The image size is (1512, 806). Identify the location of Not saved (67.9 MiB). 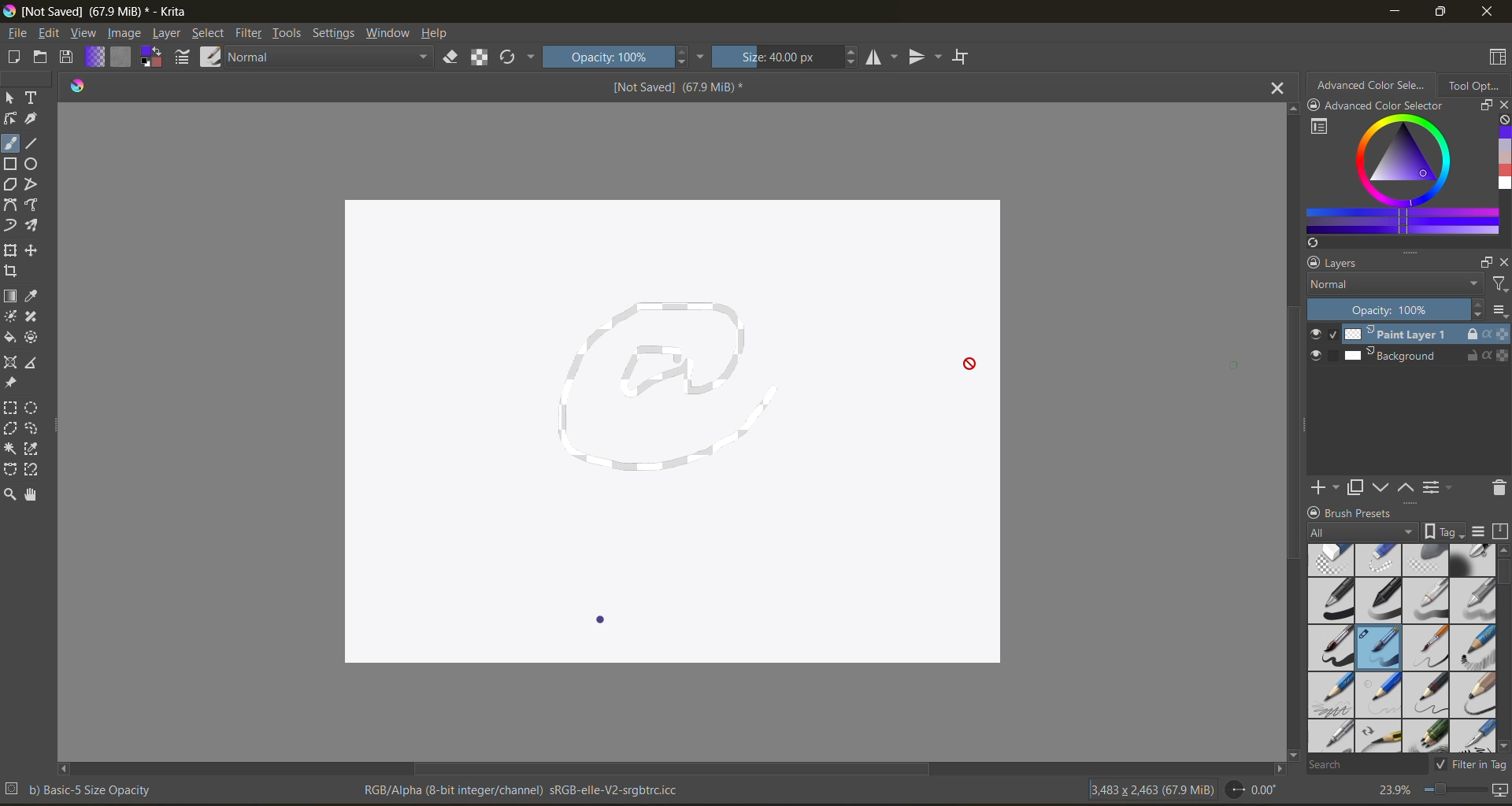
(680, 87).